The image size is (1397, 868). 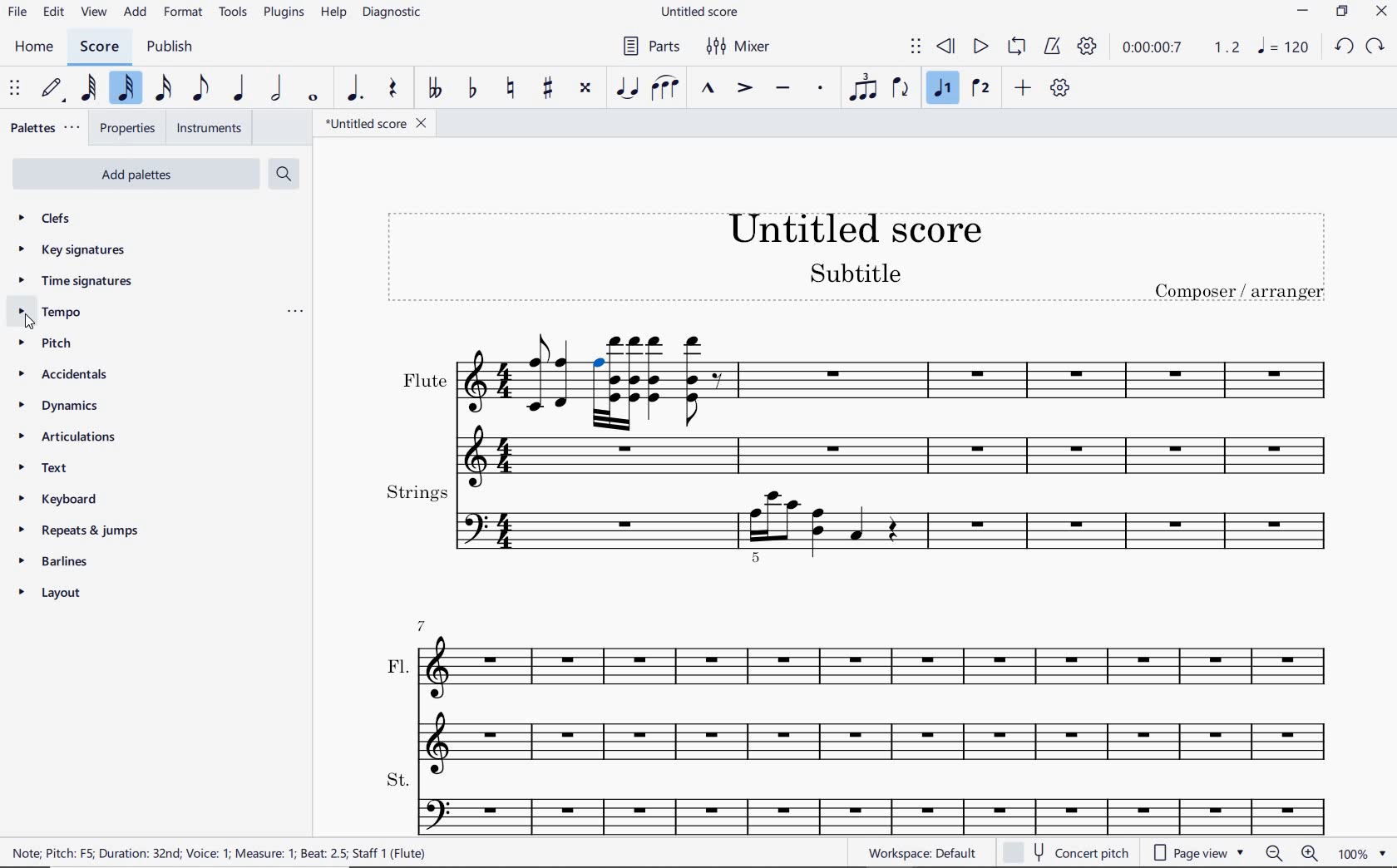 I want to click on add palettes, so click(x=136, y=175).